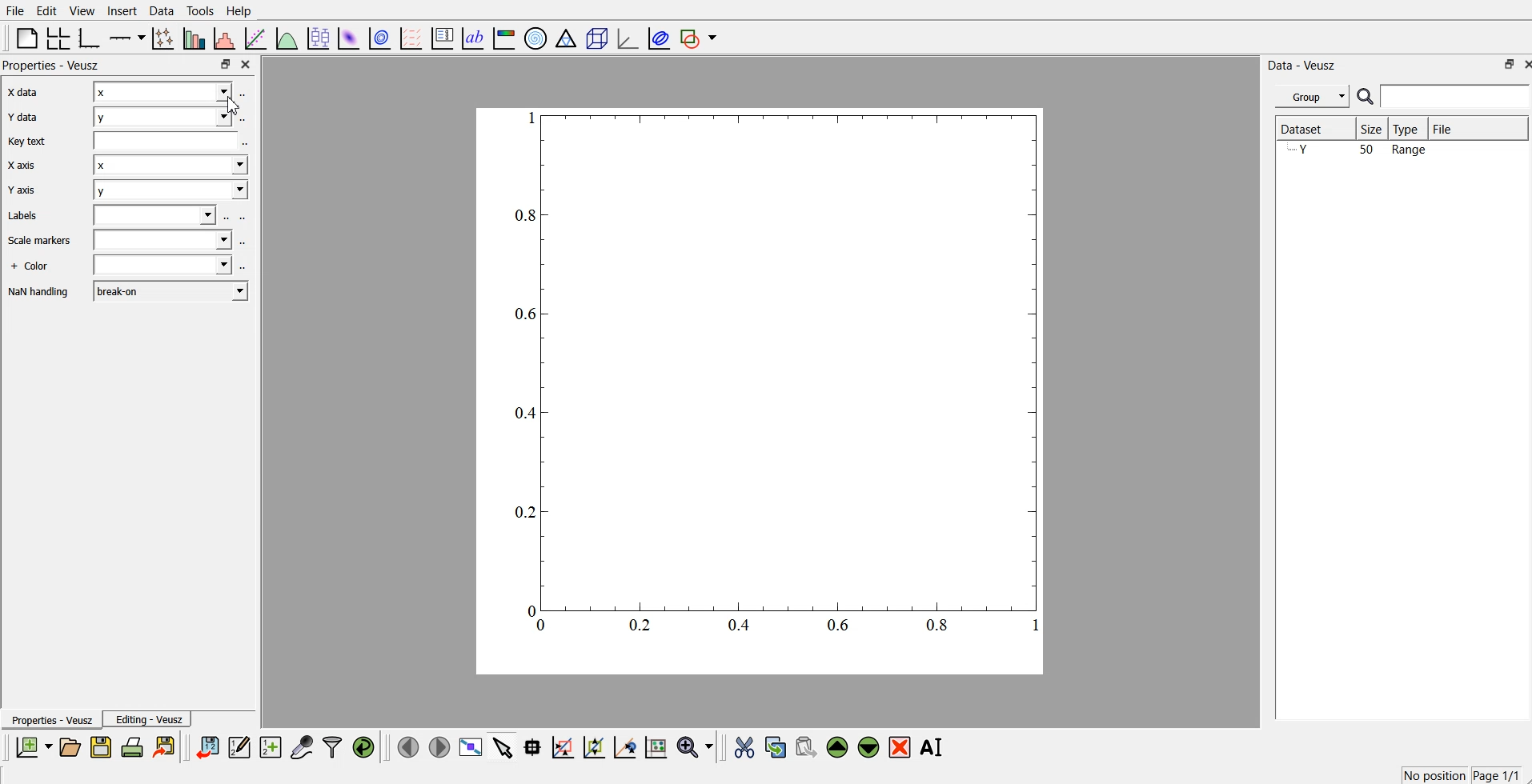 Image resolution: width=1532 pixels, height=784 pixels. I want to click on Y 50 Range, so click(1358, 150).